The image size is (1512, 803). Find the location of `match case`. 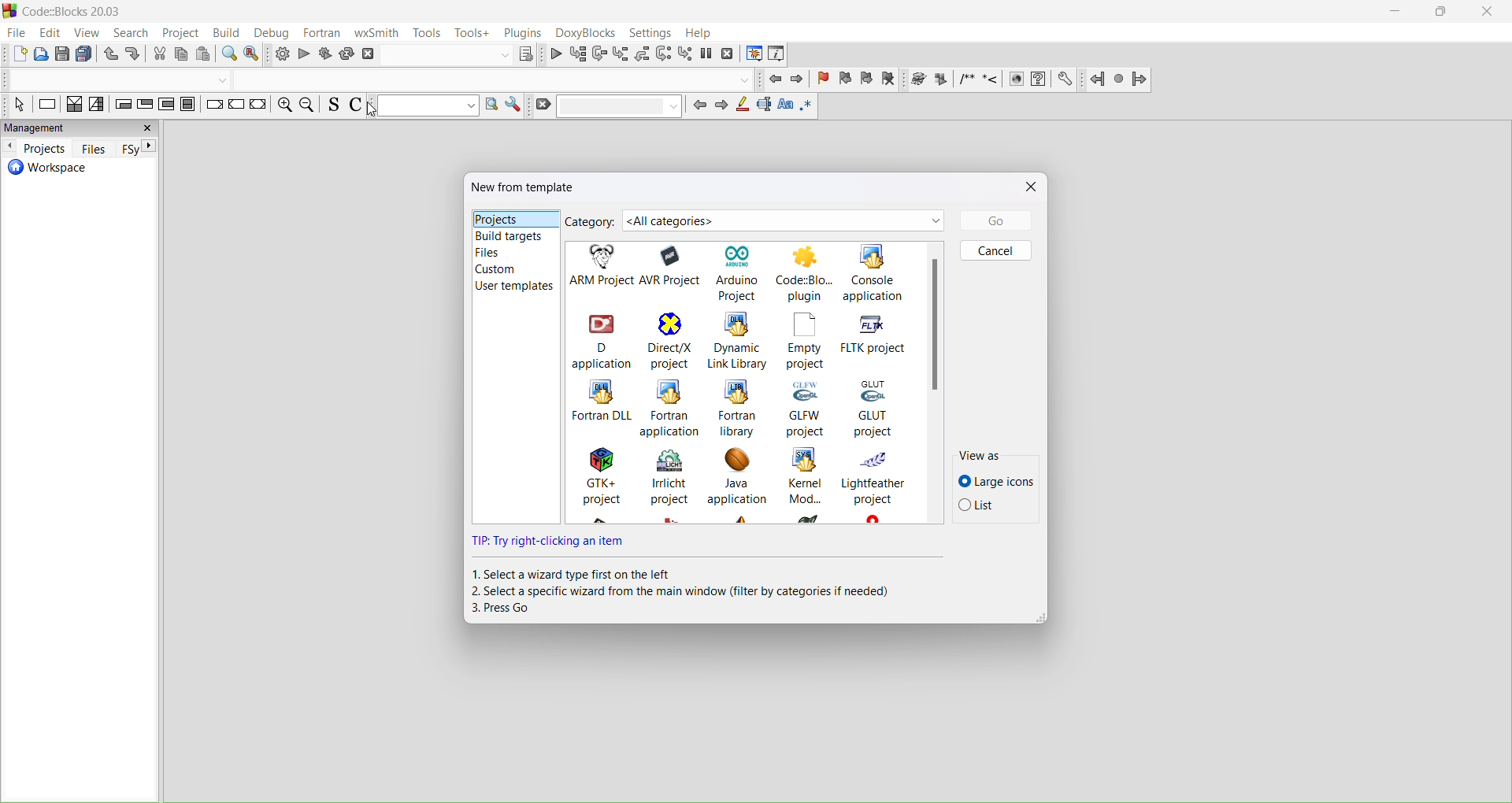

match case is located at coordinates (785, 107).